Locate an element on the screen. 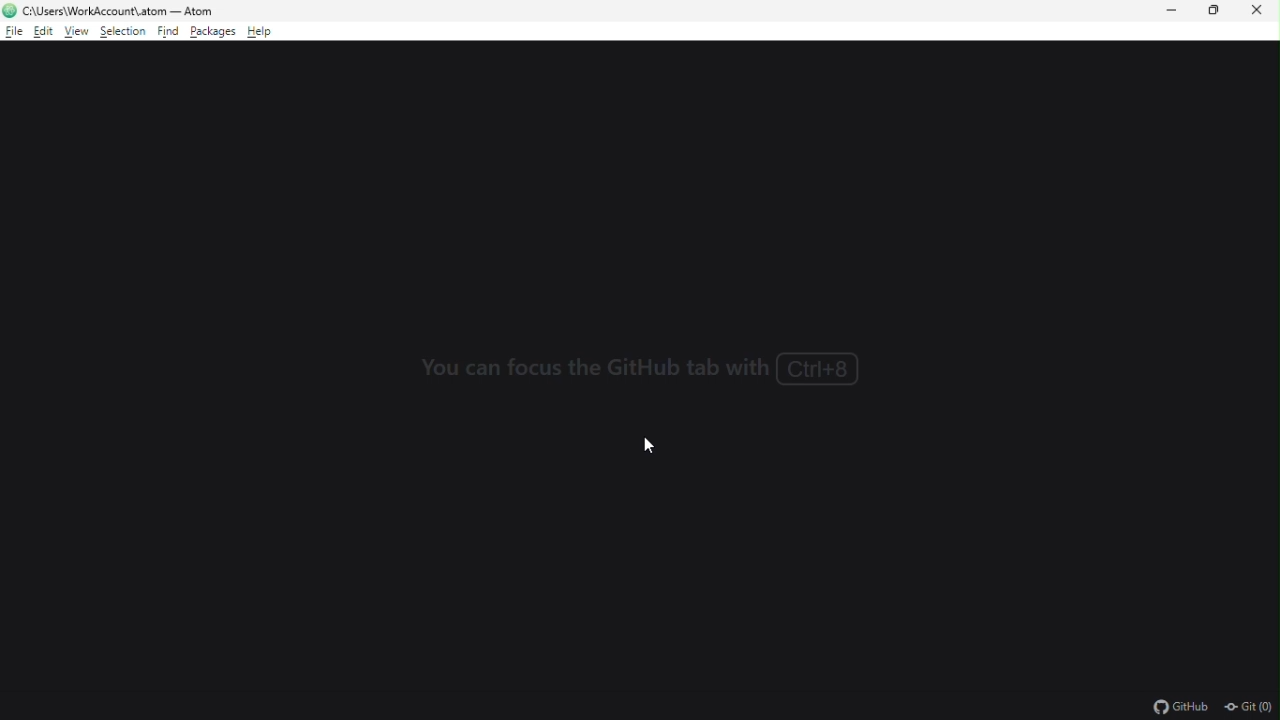 The width and height of the screenshot is (1280, 720). find is located at coordinates (170, 30).